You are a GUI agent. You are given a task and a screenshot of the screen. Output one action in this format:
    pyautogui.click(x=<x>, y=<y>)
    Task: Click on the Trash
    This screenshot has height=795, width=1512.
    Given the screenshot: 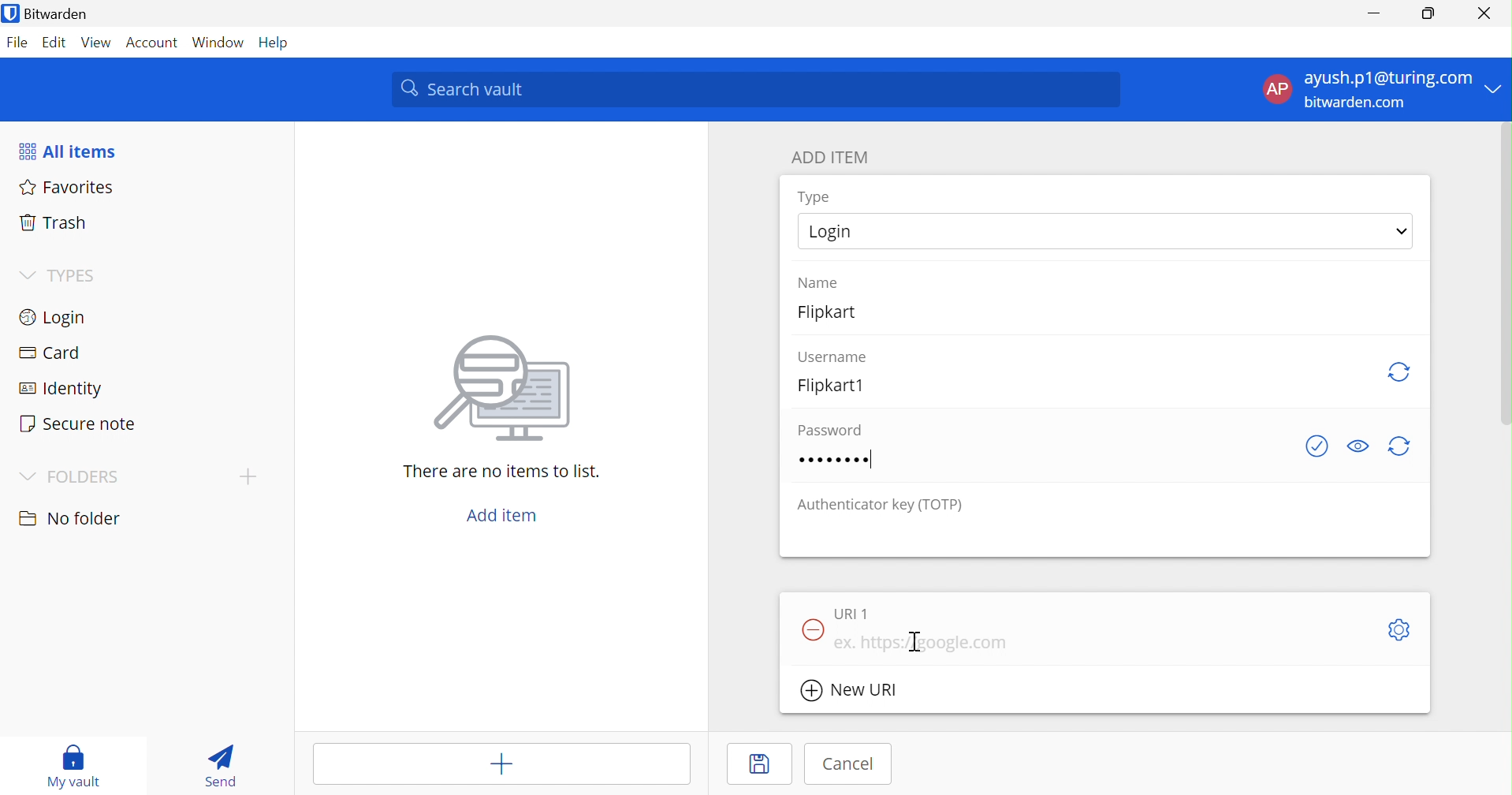 What is the action you would take?
    pyautogui.click(x=50, y=223)
    